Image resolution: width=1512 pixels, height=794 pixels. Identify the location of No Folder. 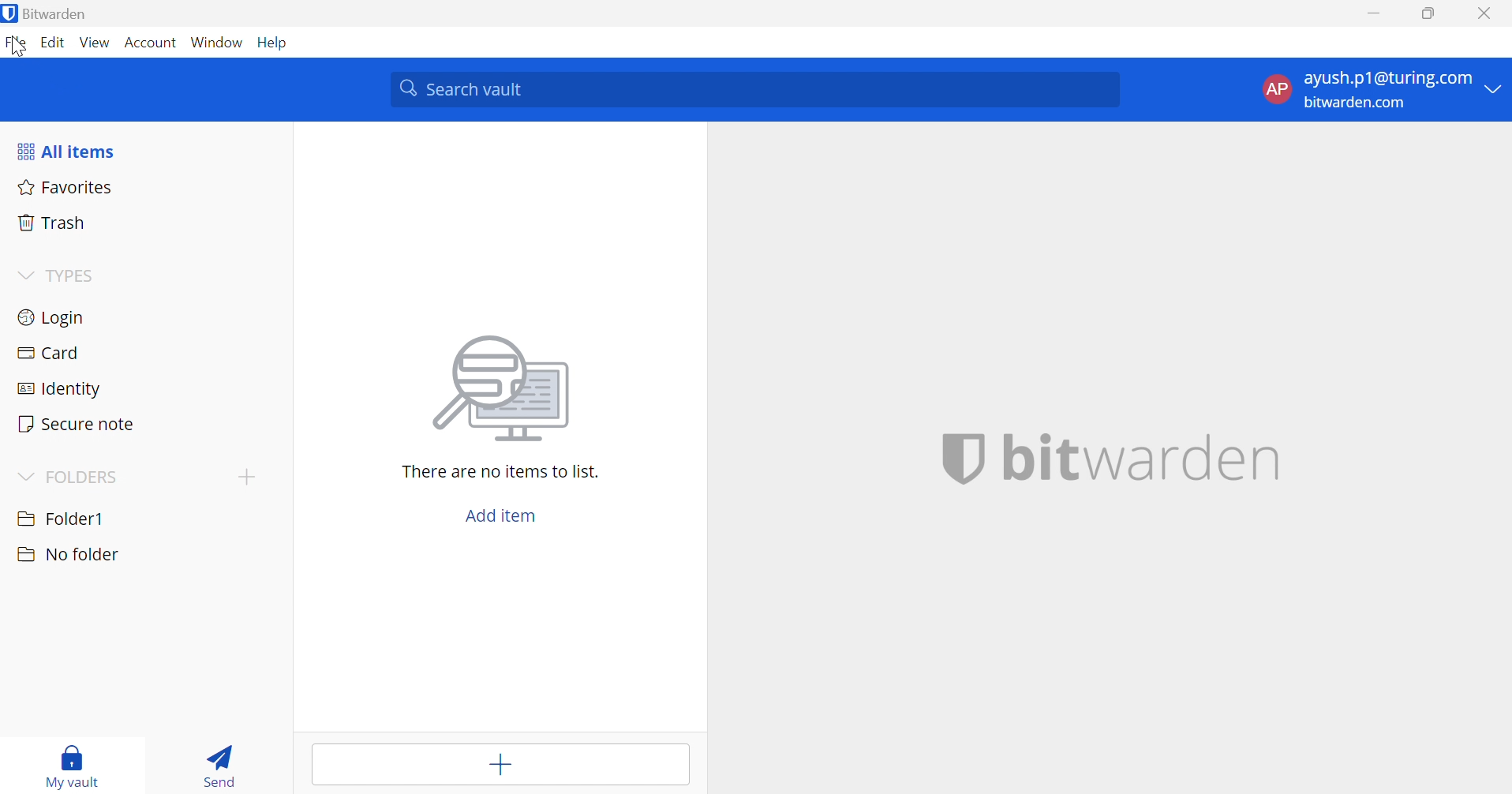
(69, 556).